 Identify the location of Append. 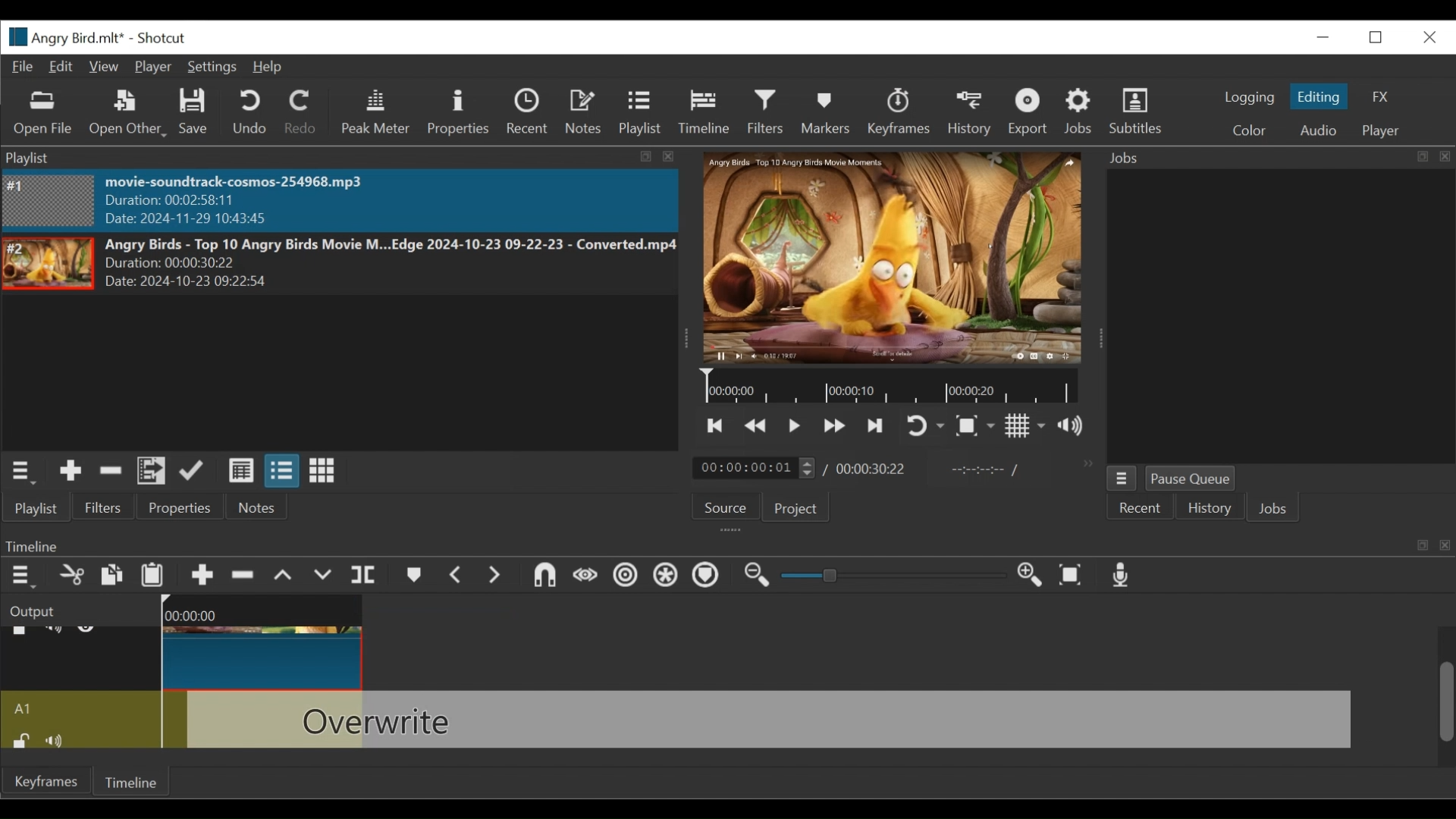
(201, 576).